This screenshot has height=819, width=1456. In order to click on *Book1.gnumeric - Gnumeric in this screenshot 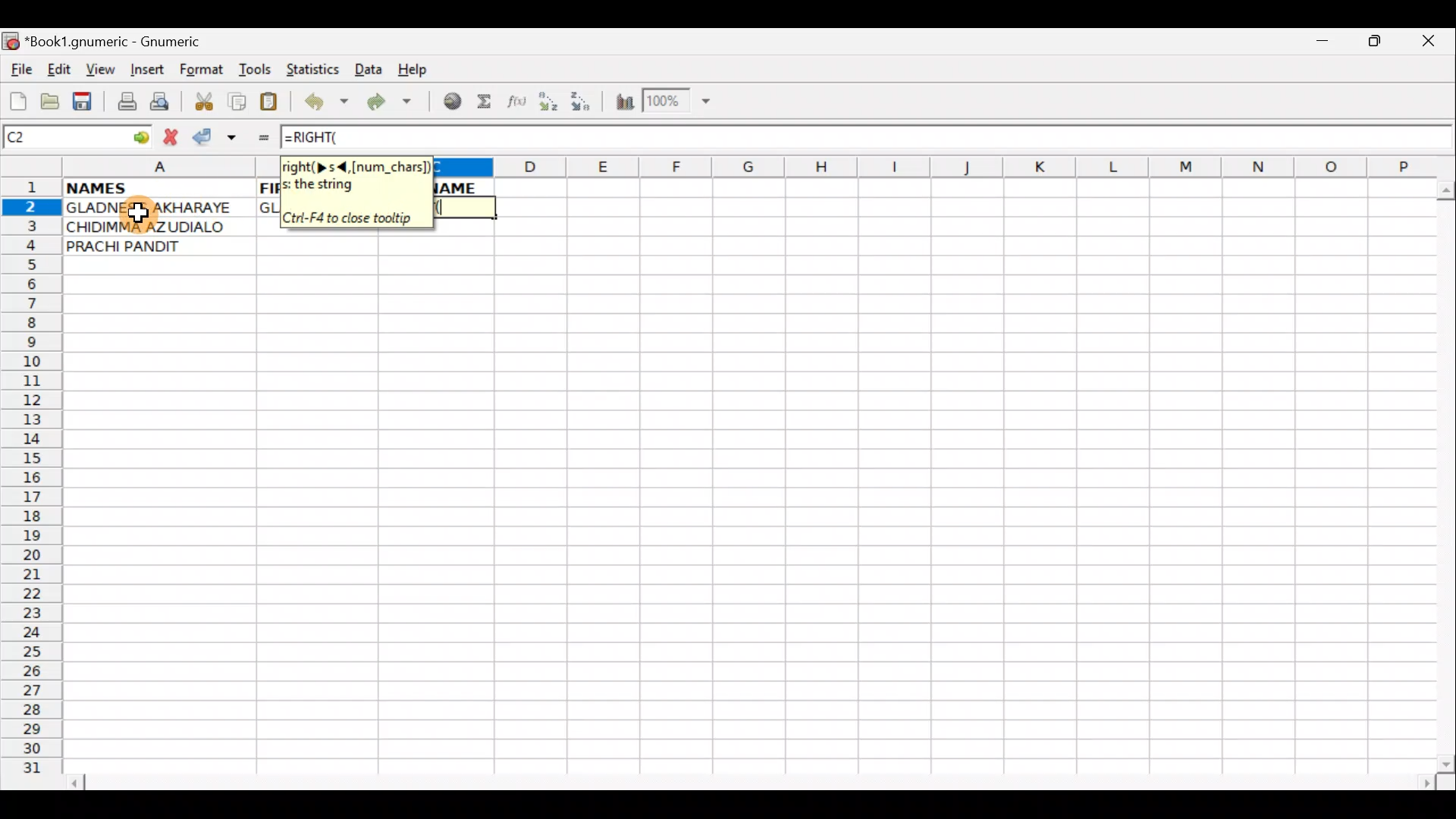, I will do `click(127, 42)`.